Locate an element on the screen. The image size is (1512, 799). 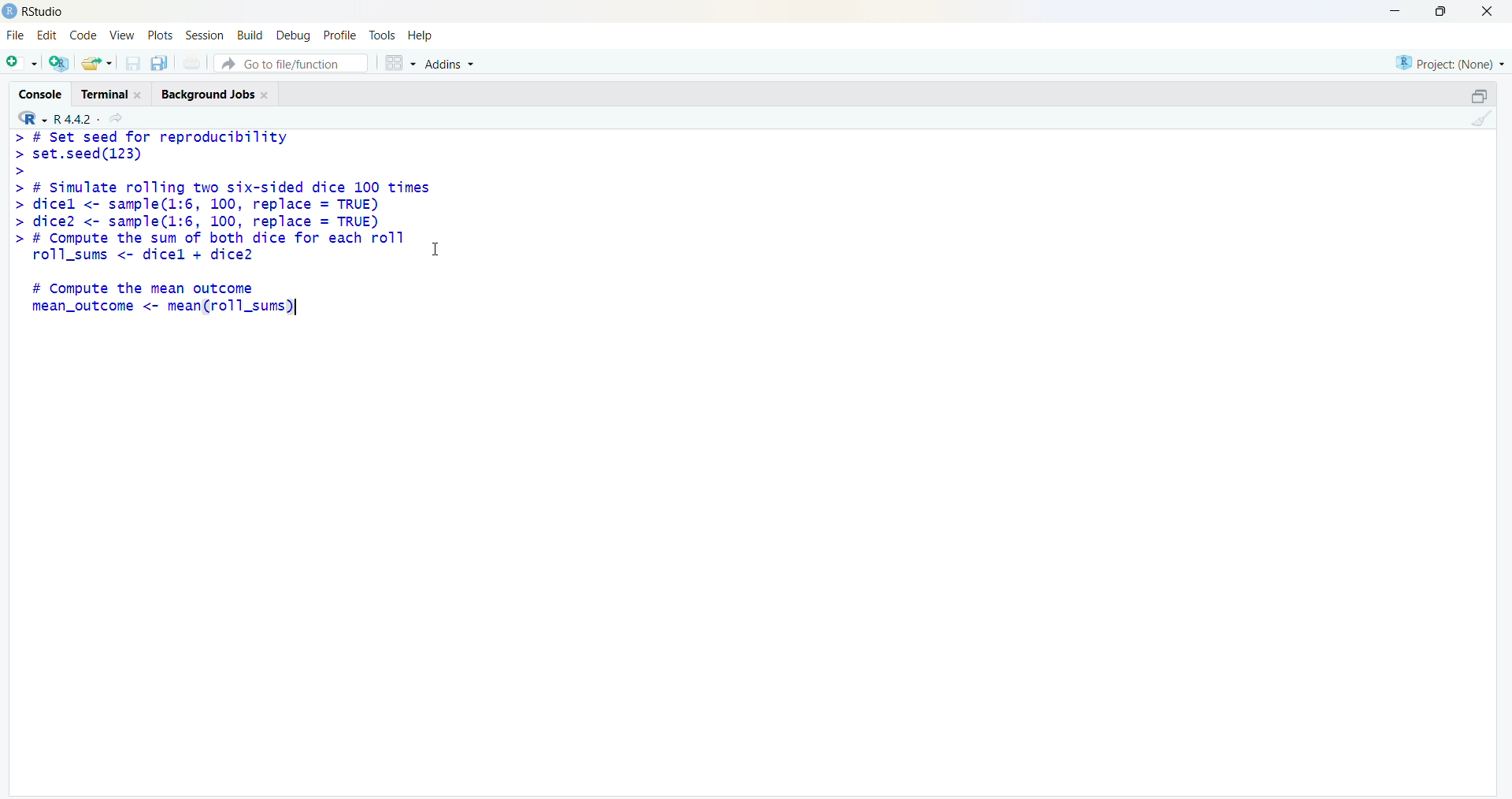
Background jobs is located at coordinates (207, 96).